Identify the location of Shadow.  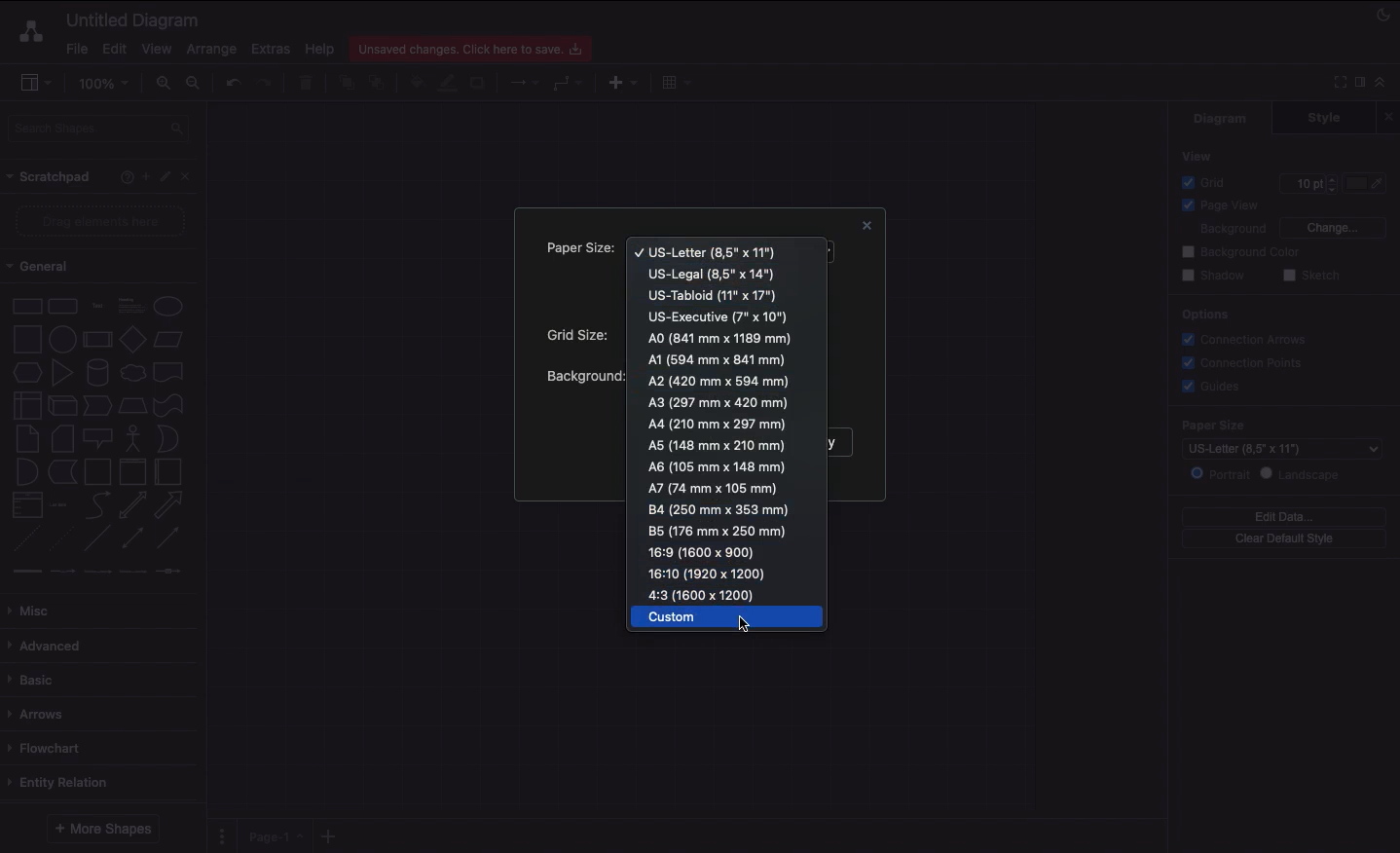
(479, 82).